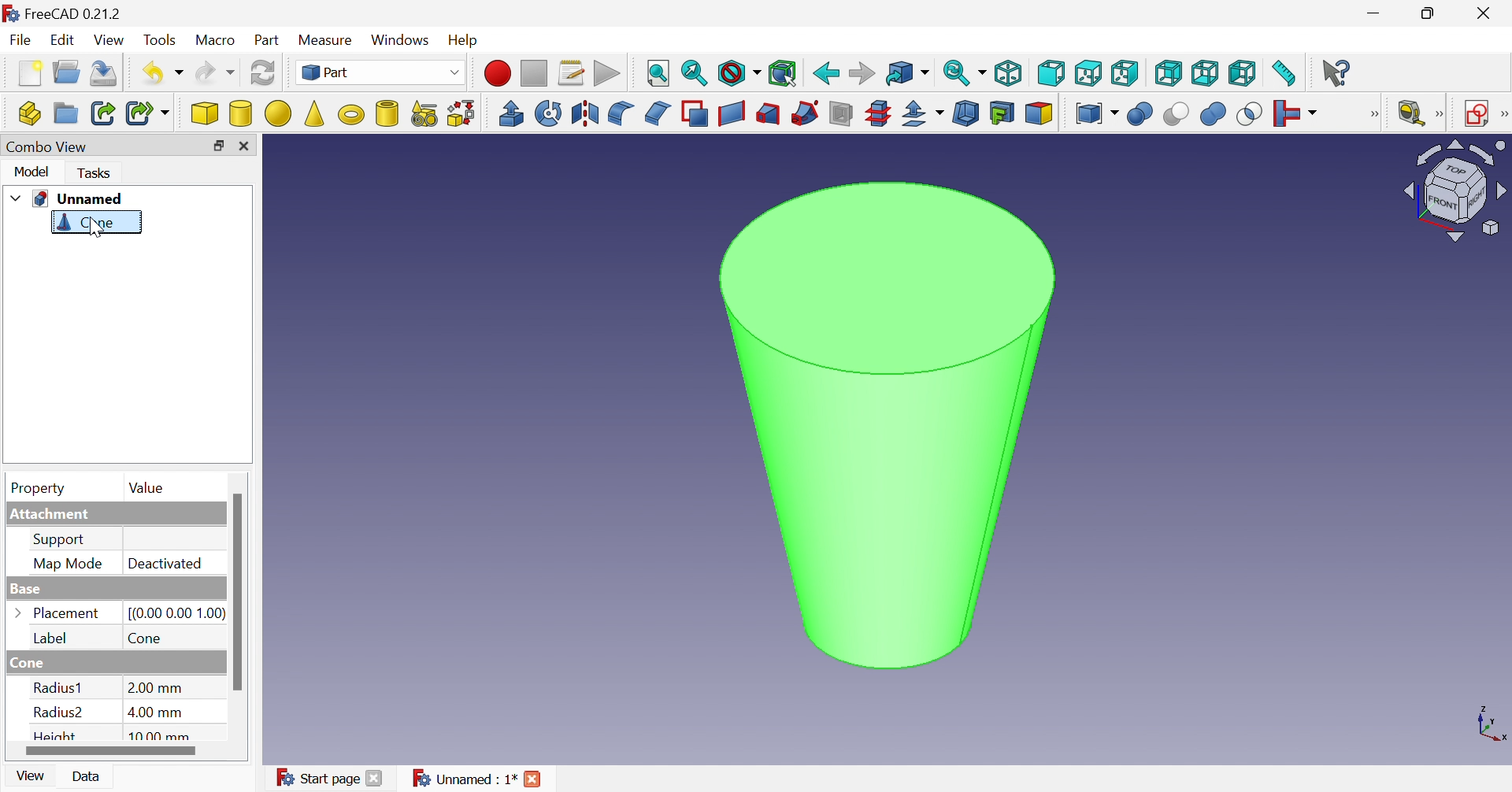  What do you see at coordinates (97, 230) in the screenshot?
I see `Cursor` at bounding box center [97, 230].